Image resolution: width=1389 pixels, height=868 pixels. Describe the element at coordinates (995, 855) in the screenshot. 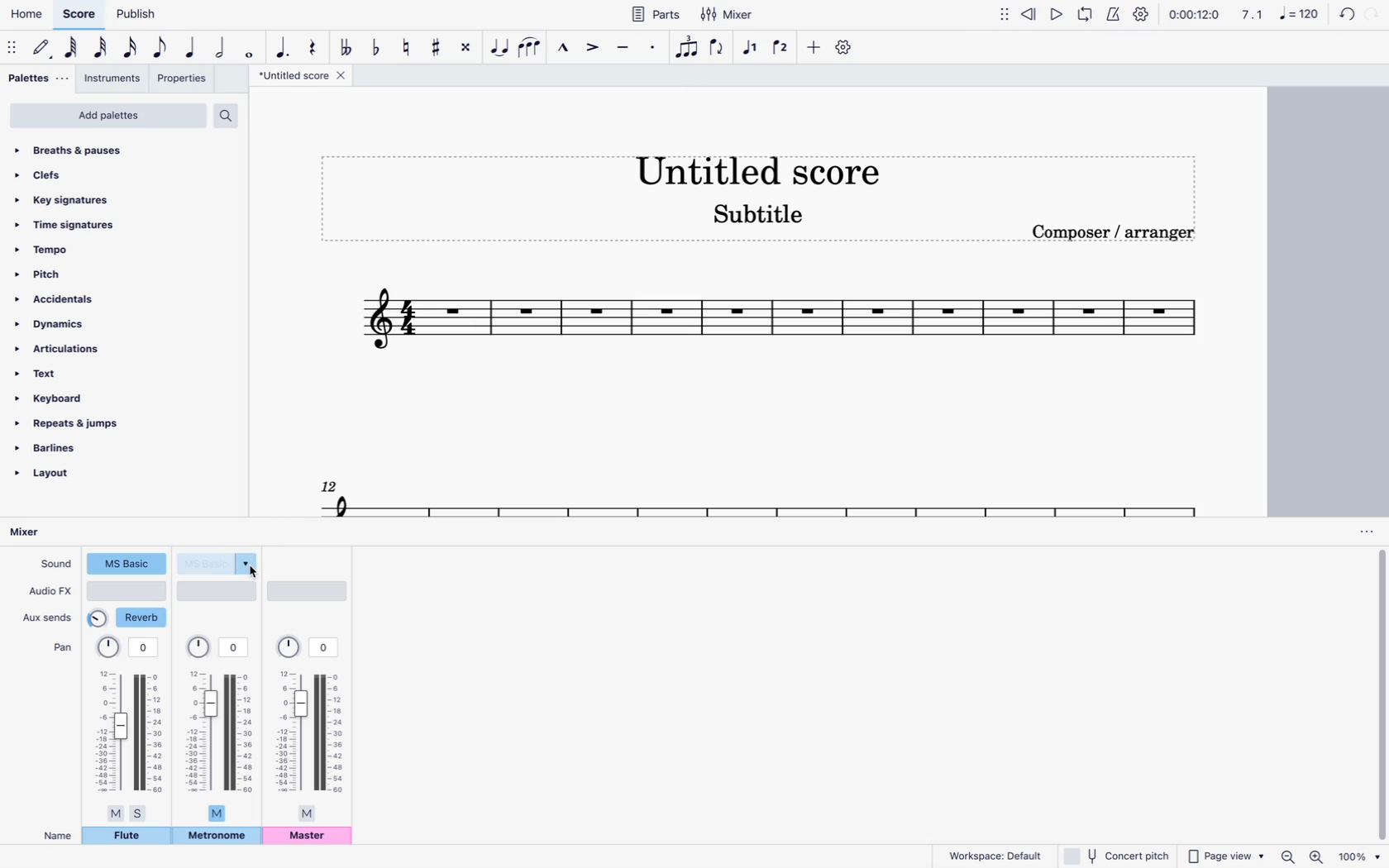

I see `workspace` at that location.